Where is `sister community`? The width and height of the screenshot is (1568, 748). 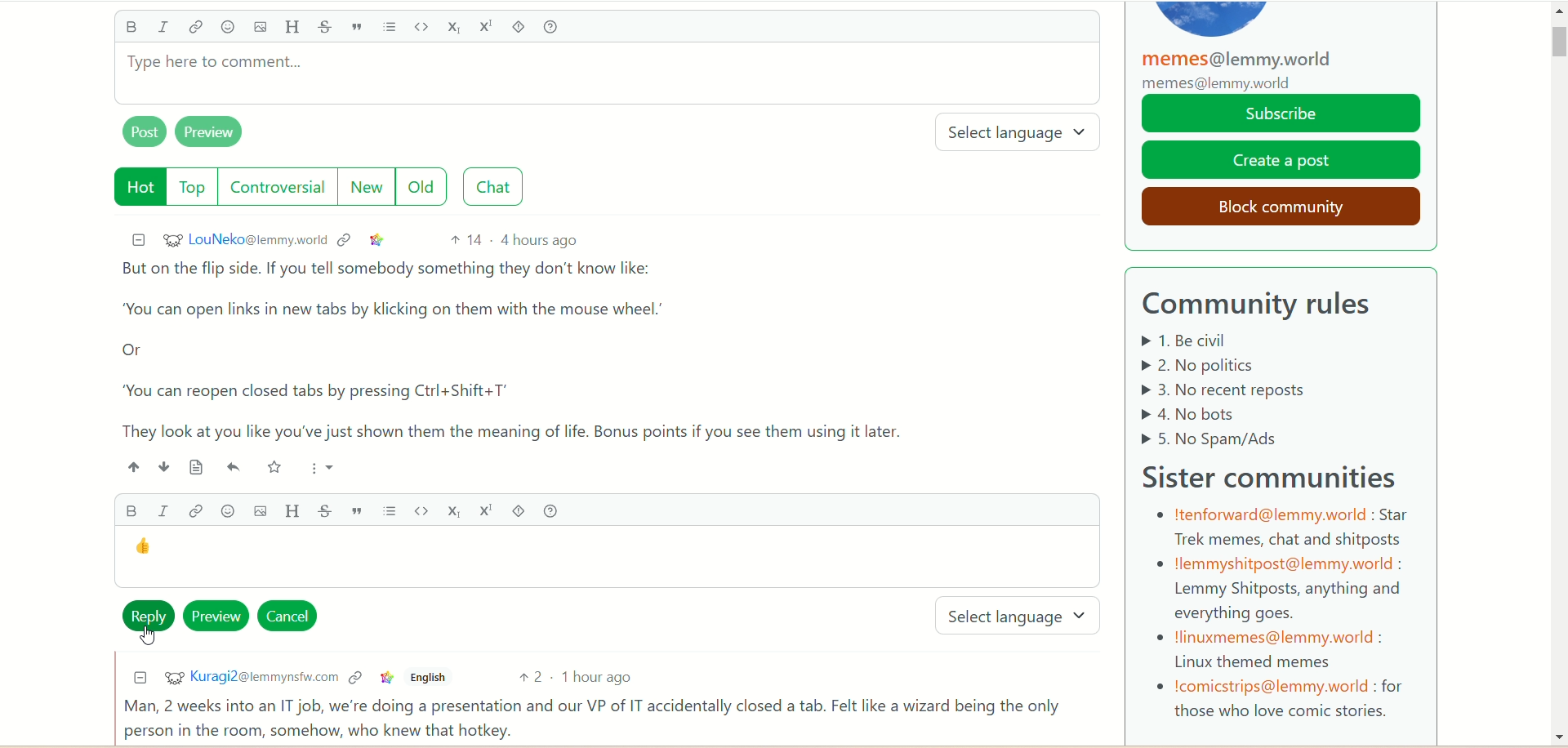 sister community is located at coordinates (1278, 474).